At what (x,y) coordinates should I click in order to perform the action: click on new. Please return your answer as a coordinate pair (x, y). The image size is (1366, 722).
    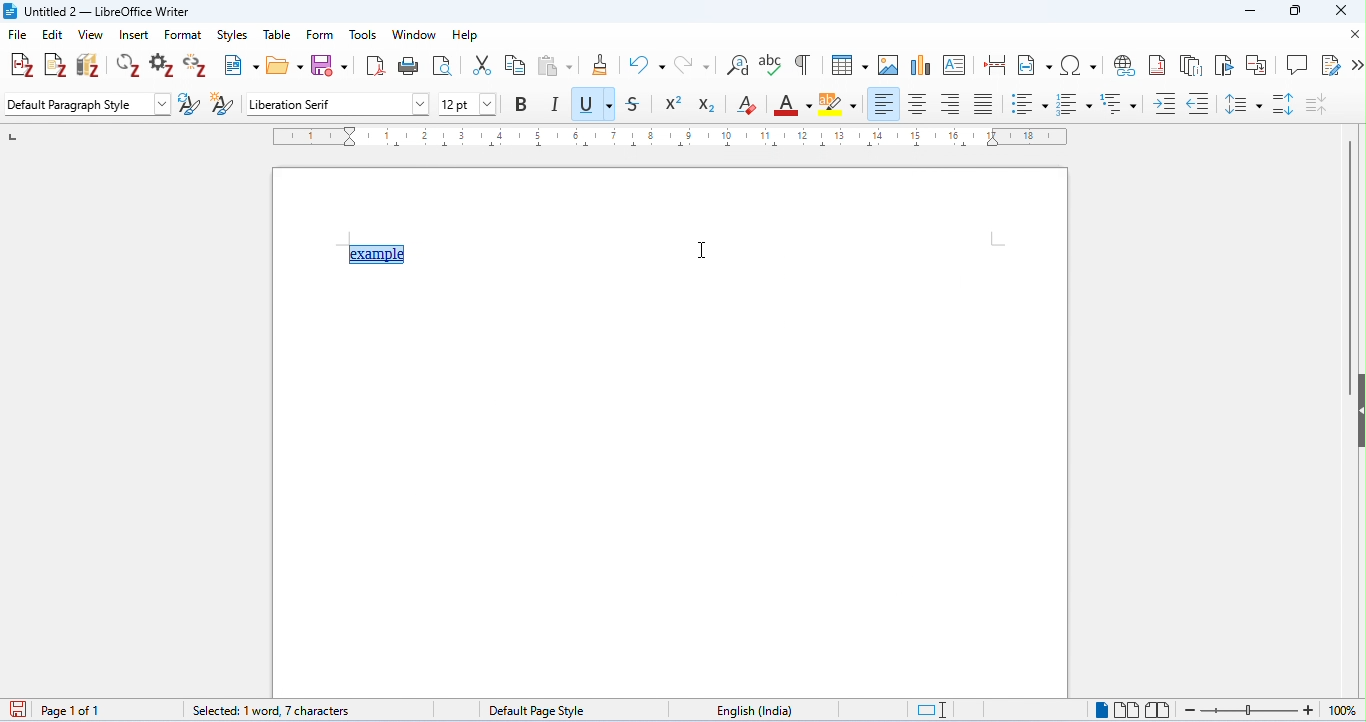
    Looking at the image, I should click on (239, 65).